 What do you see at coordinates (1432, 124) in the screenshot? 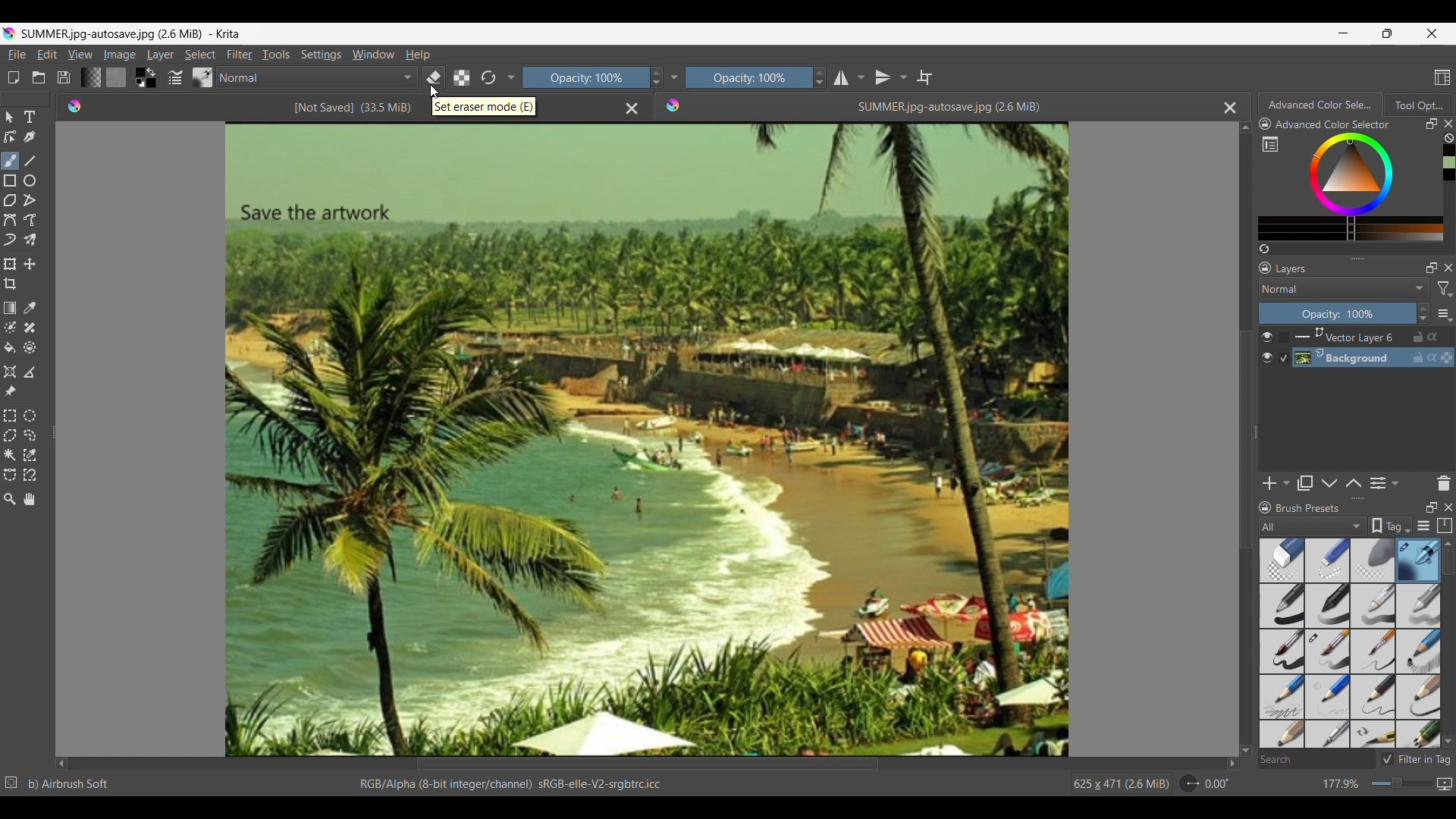
I see `Float panel` at bounding box center [1432, 124].